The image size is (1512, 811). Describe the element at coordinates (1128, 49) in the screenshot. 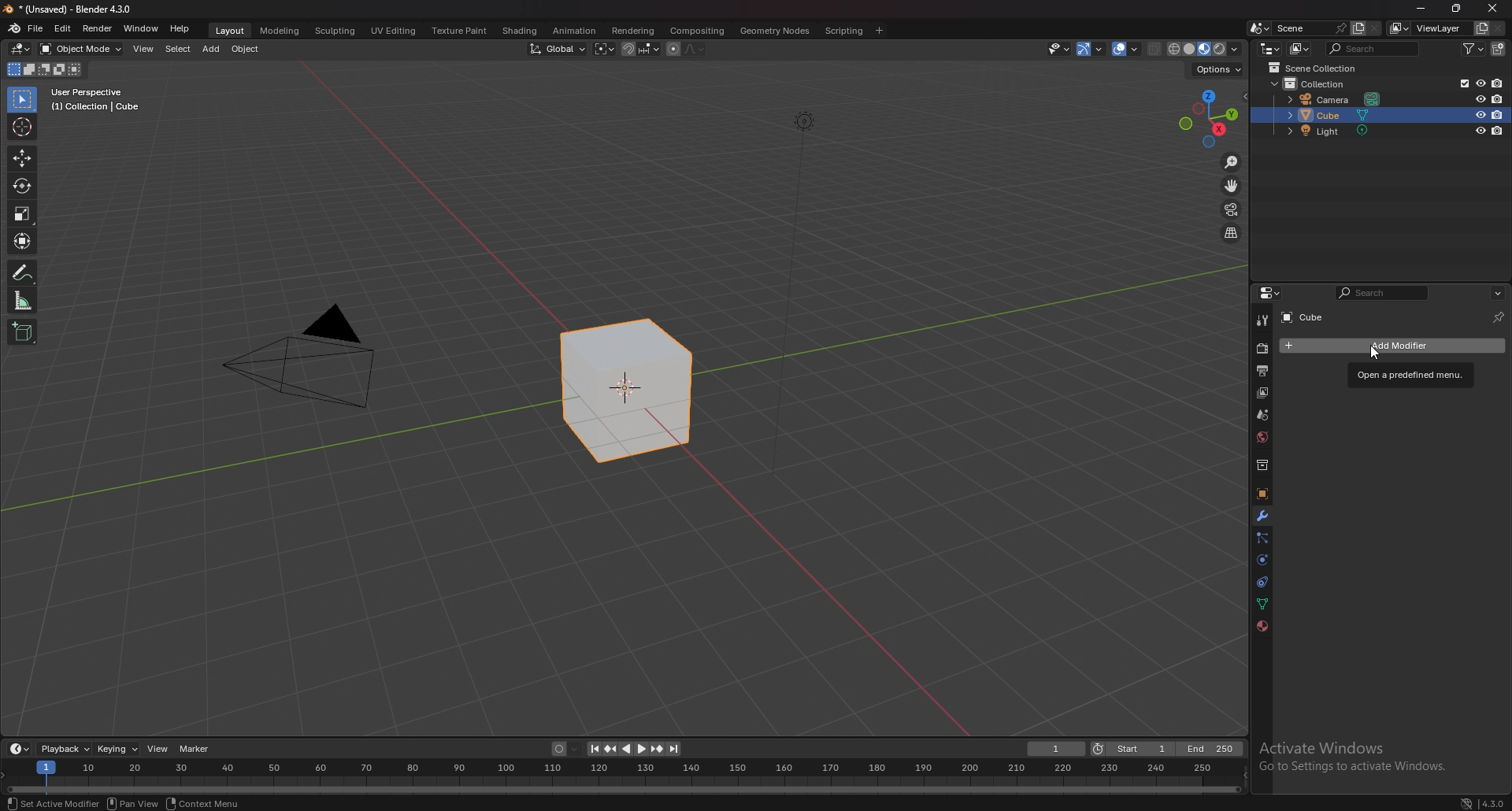

I see `overlay` at that location.